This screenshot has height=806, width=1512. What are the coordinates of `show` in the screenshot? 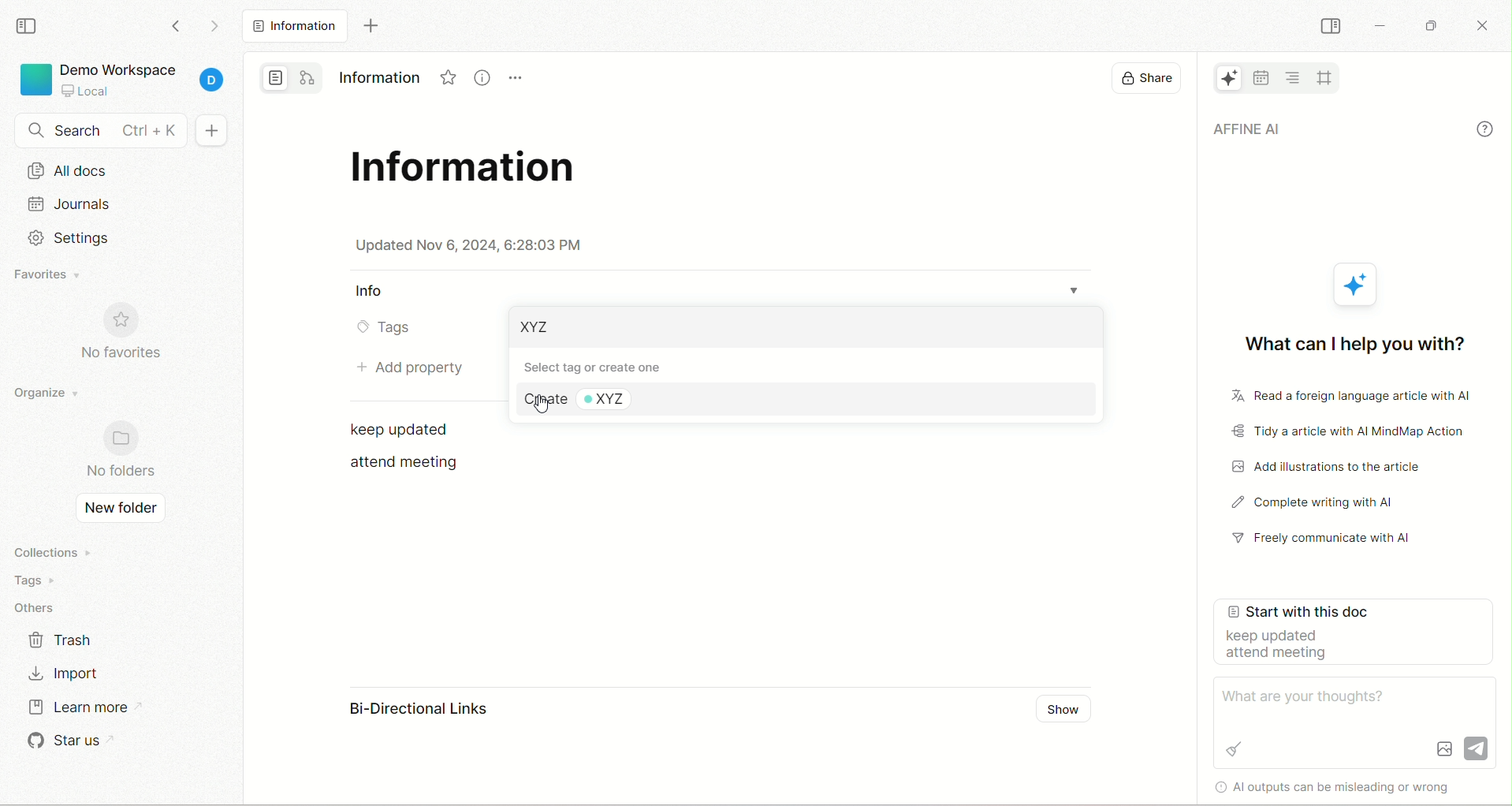 It's located at (1063, 711).